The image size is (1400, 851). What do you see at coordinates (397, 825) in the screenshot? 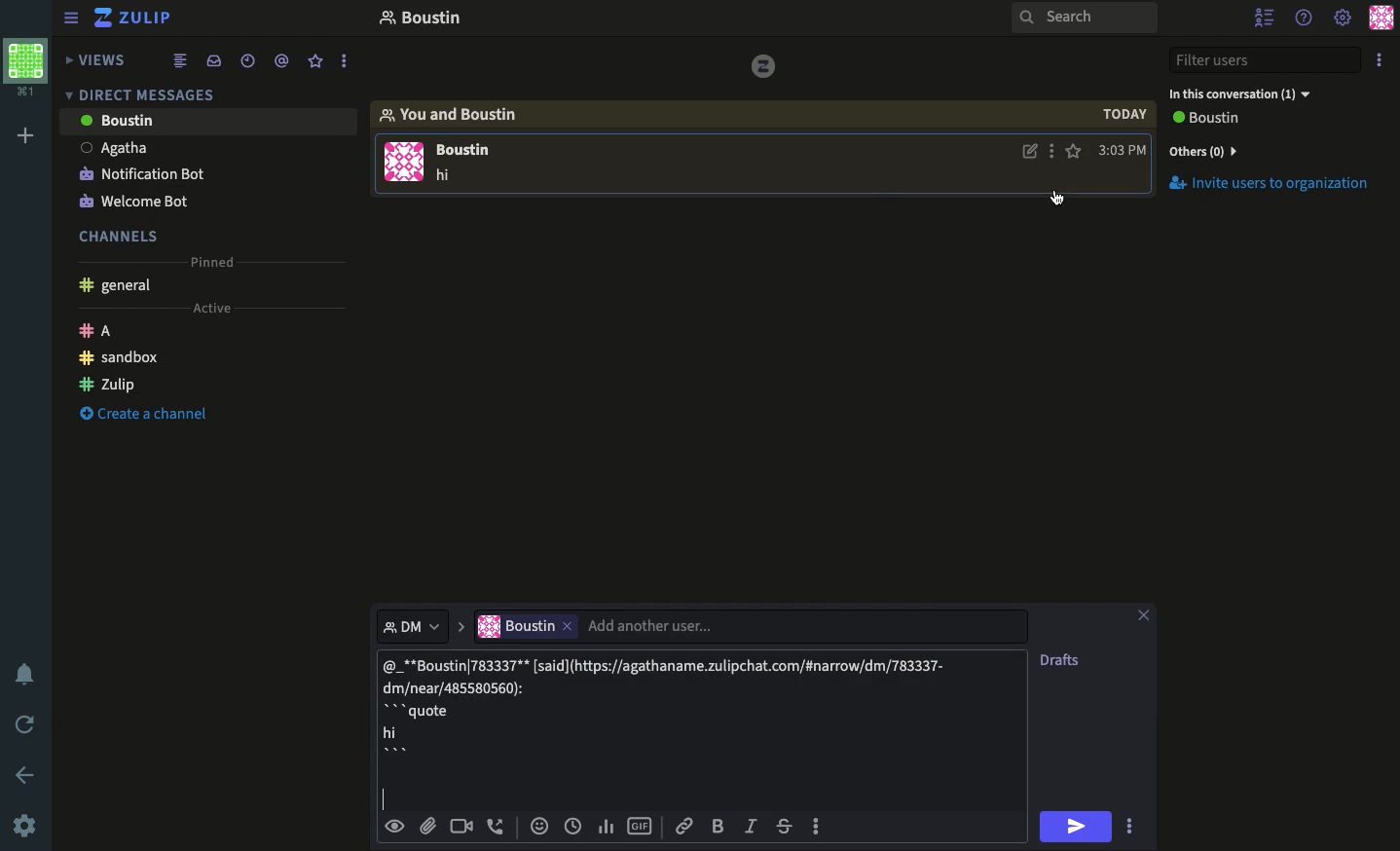
I see `Preview` at bounding box center [397, 825].